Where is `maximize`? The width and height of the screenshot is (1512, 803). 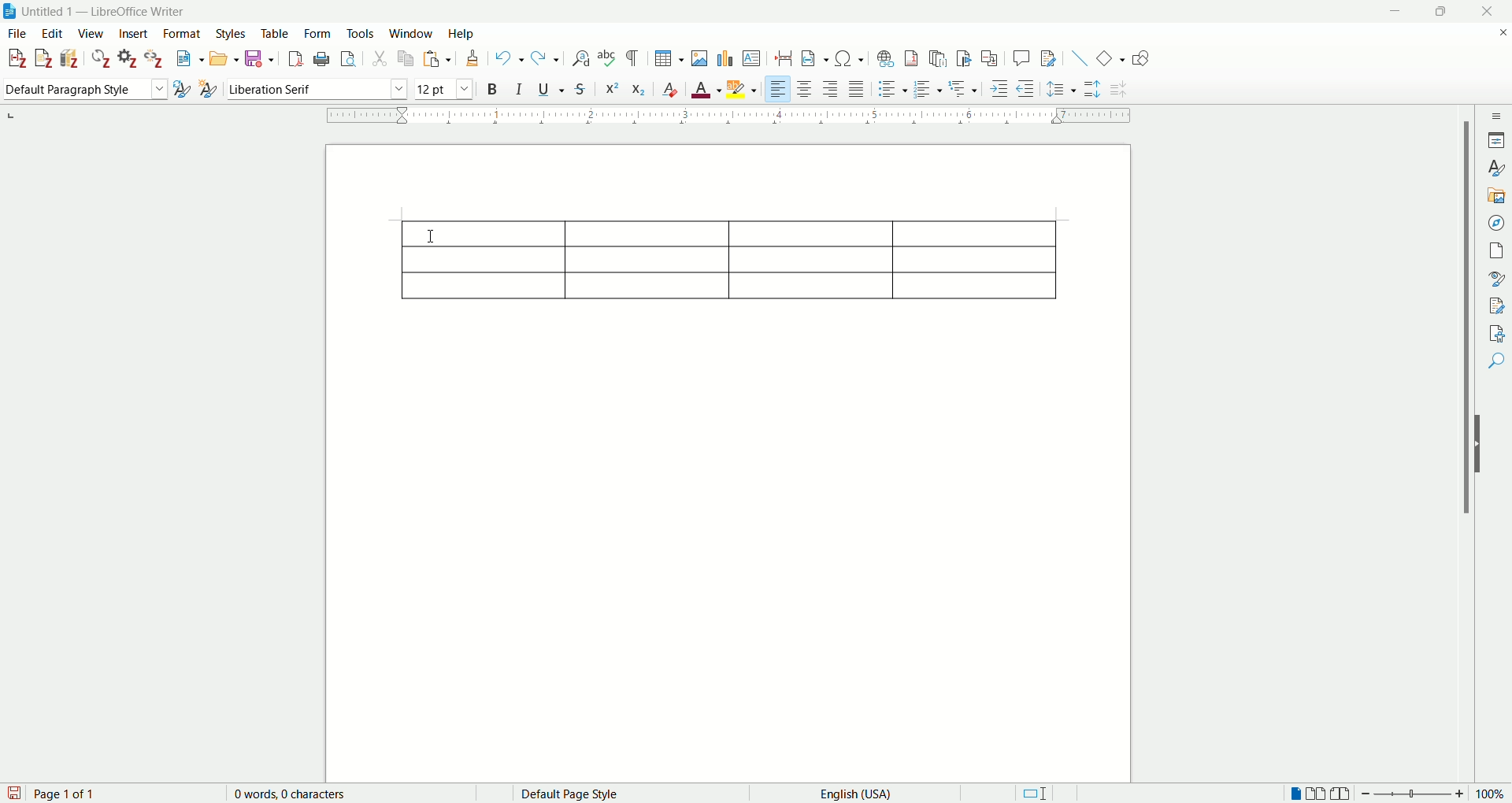 maximize is located at coordinates (1441, 11).